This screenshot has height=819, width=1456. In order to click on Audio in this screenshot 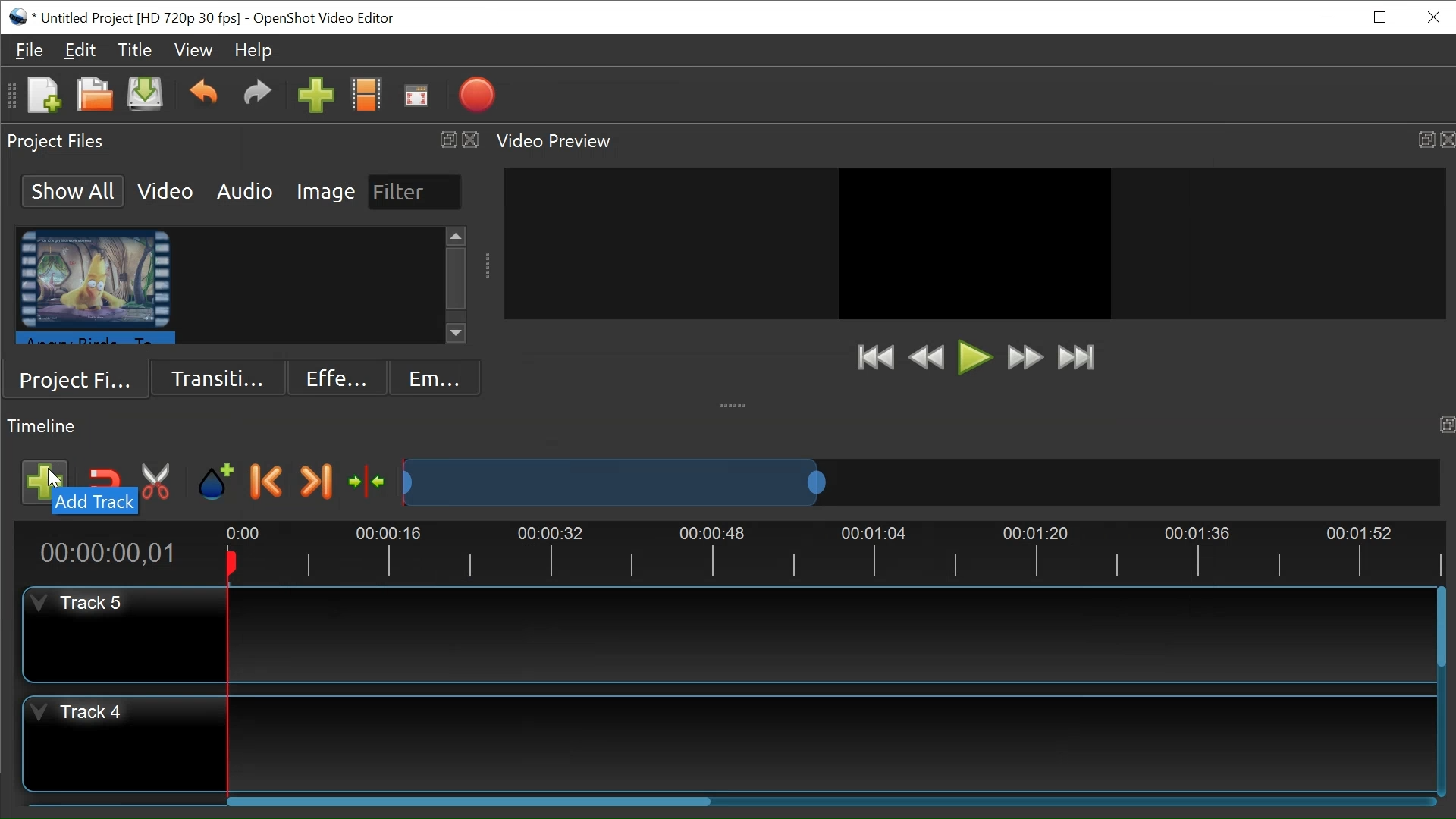, I will do `click(243, 191)`.